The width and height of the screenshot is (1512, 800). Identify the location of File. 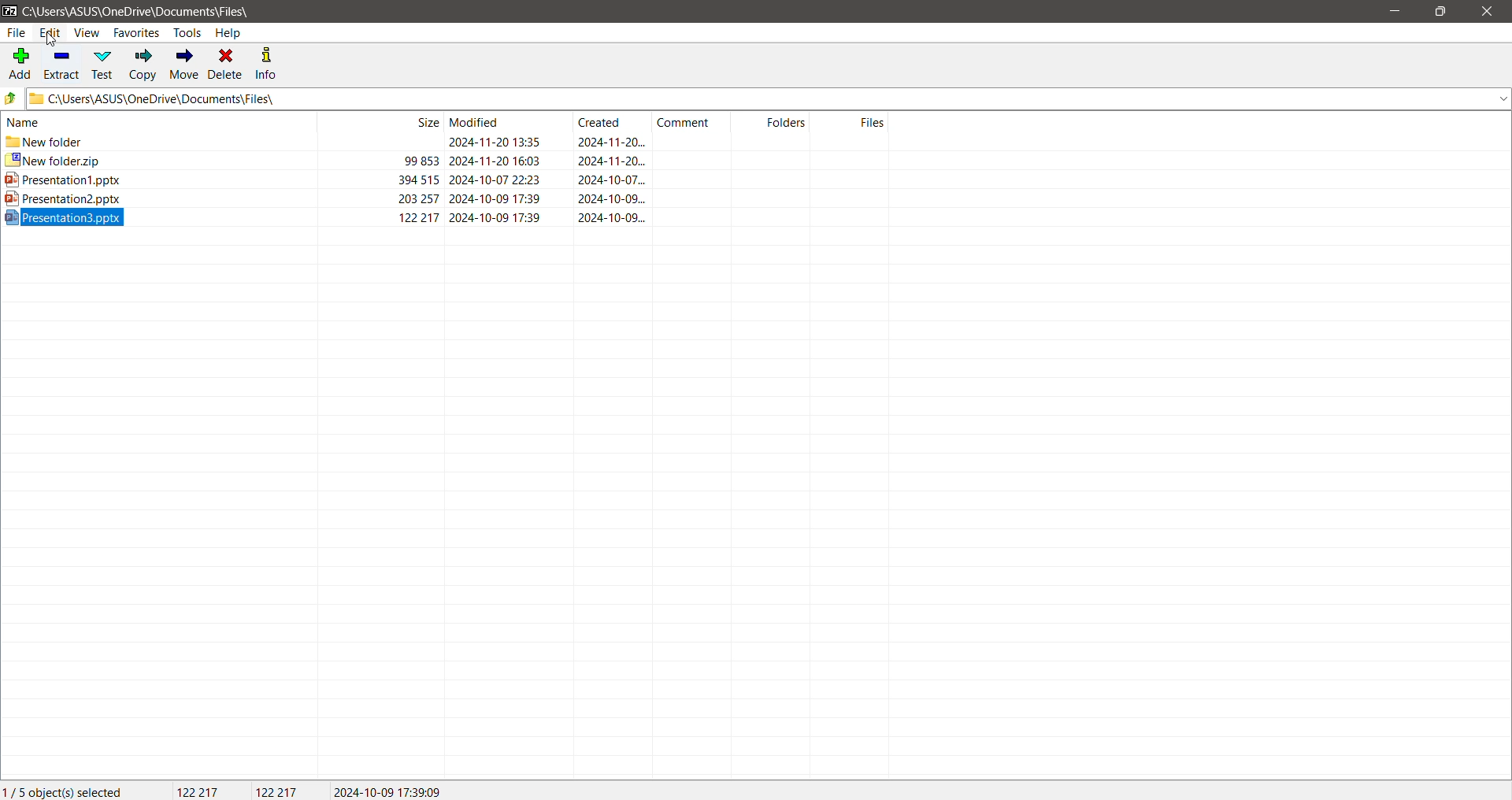
(15, 33).